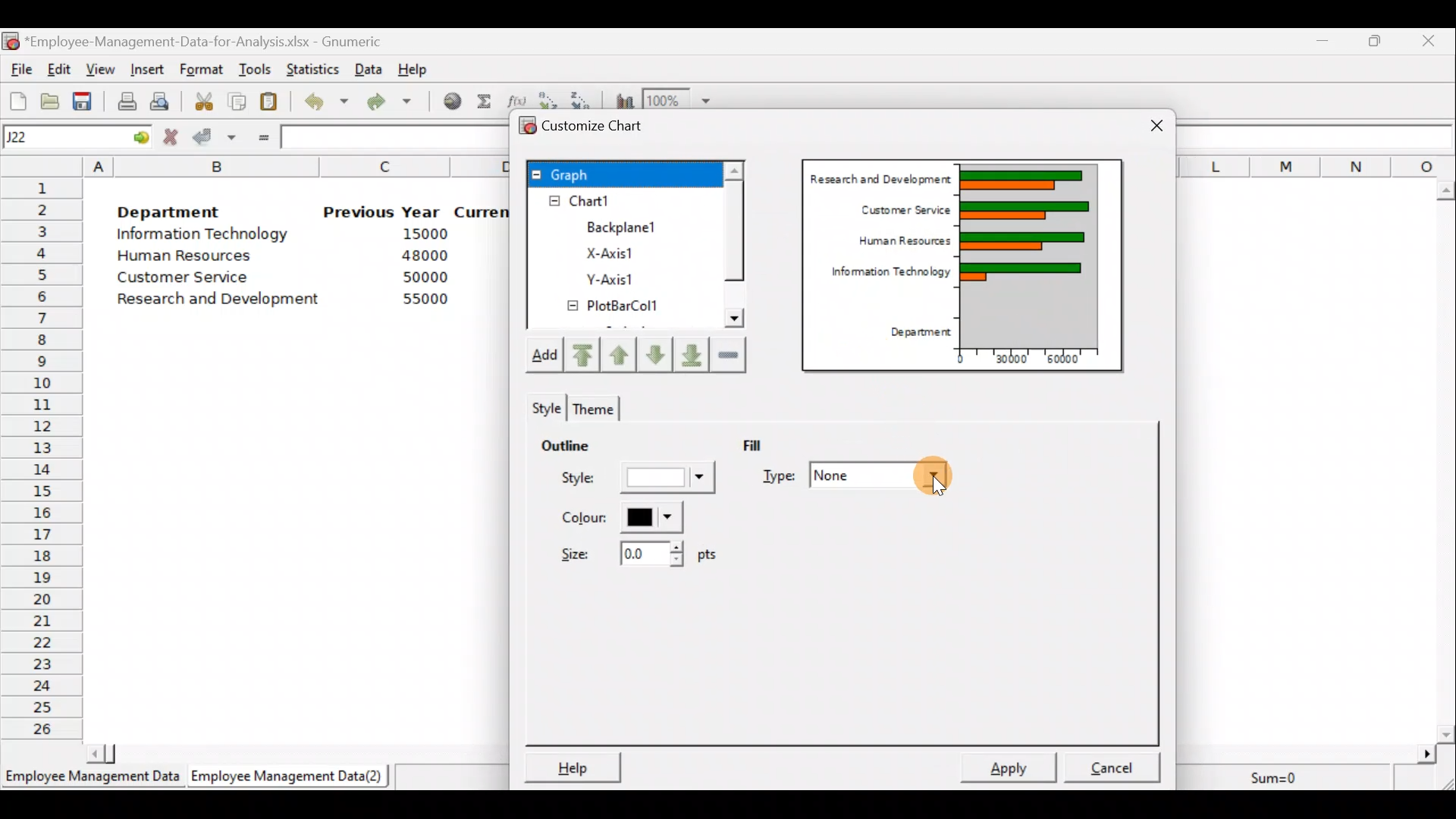 The height and width of the screenshot is (819, 1456). Describe the element at coordinates (880, 180) in the screenshot. I see `Research and Development` at that location.